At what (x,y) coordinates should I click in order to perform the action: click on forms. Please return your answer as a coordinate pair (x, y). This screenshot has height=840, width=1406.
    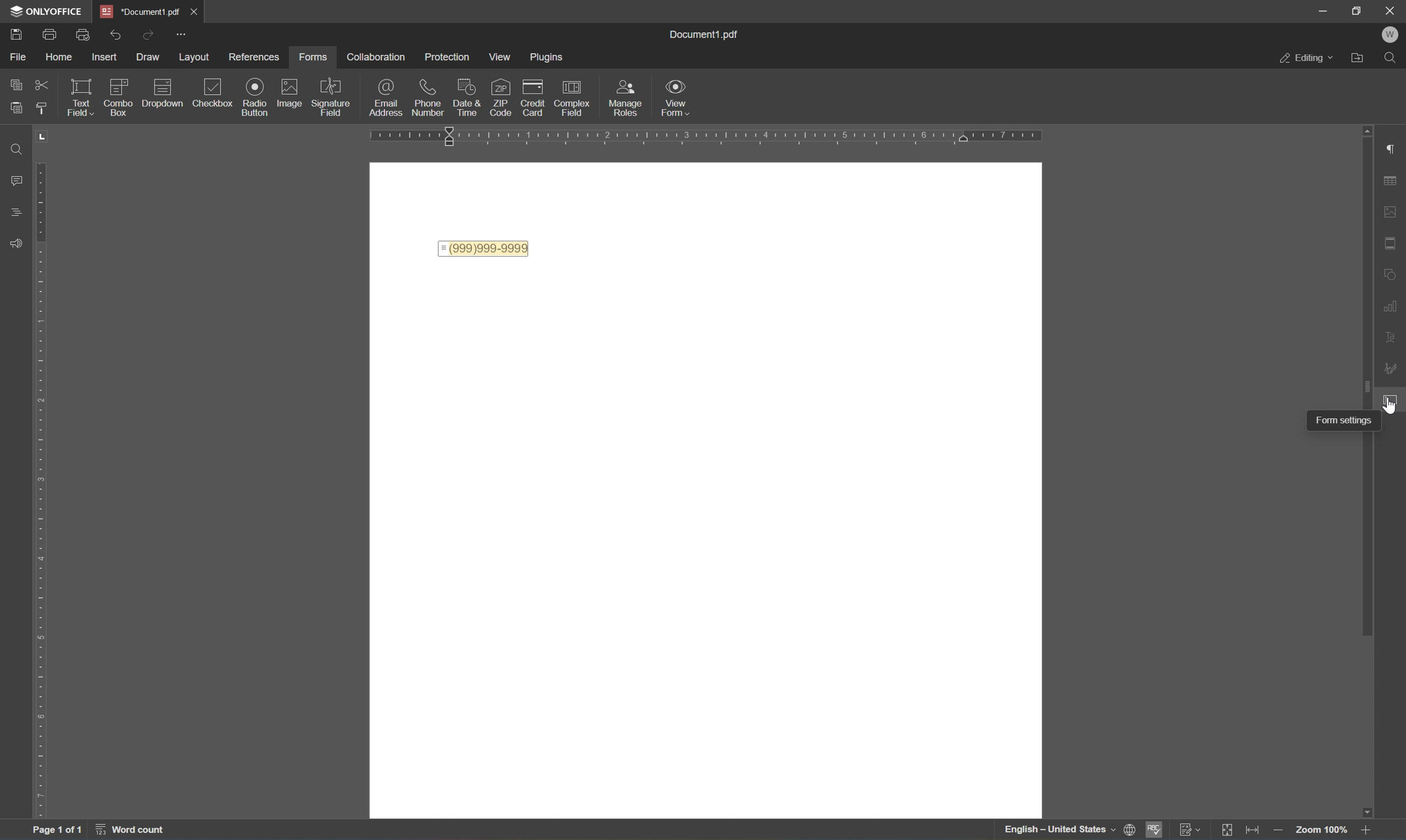
    Looking at the image, I should click on (314, 58).